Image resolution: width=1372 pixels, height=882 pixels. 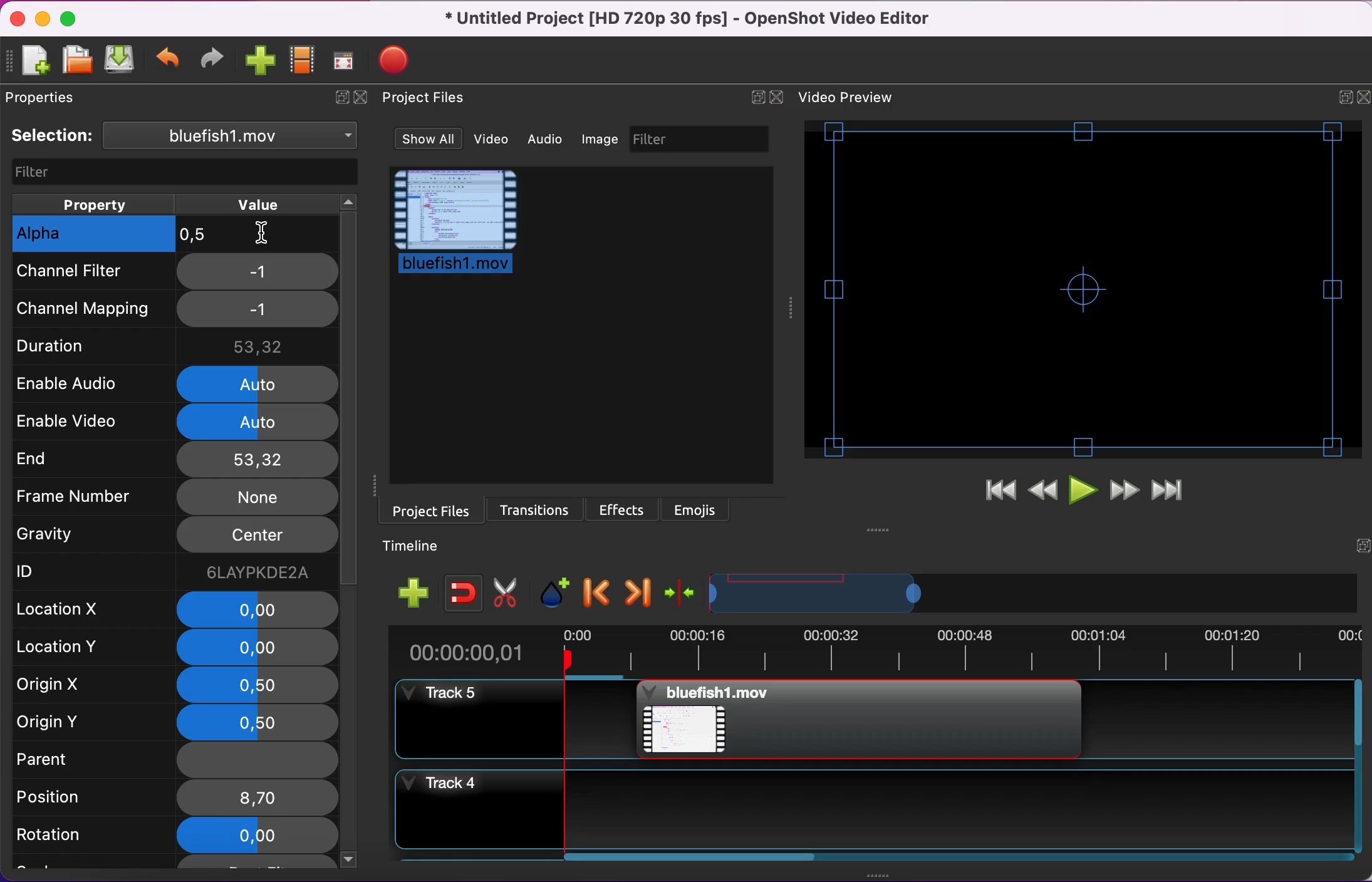 I want to click on play, so click(x=1084, y=491).